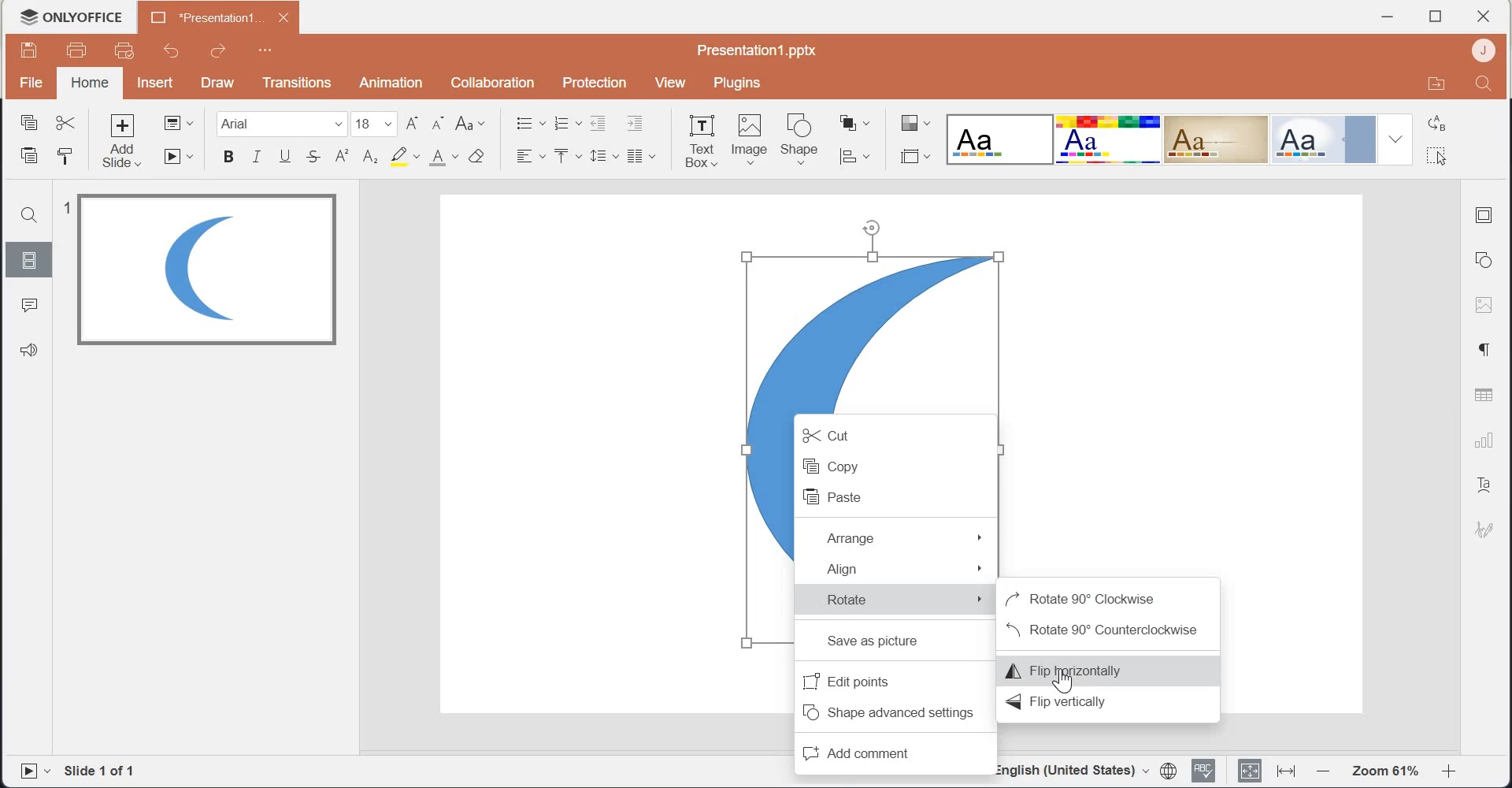 This screenshot has height=788, width=1512. Describe the element at coordinates (288, 156) in the screenshot. I see `Underline` at that location.